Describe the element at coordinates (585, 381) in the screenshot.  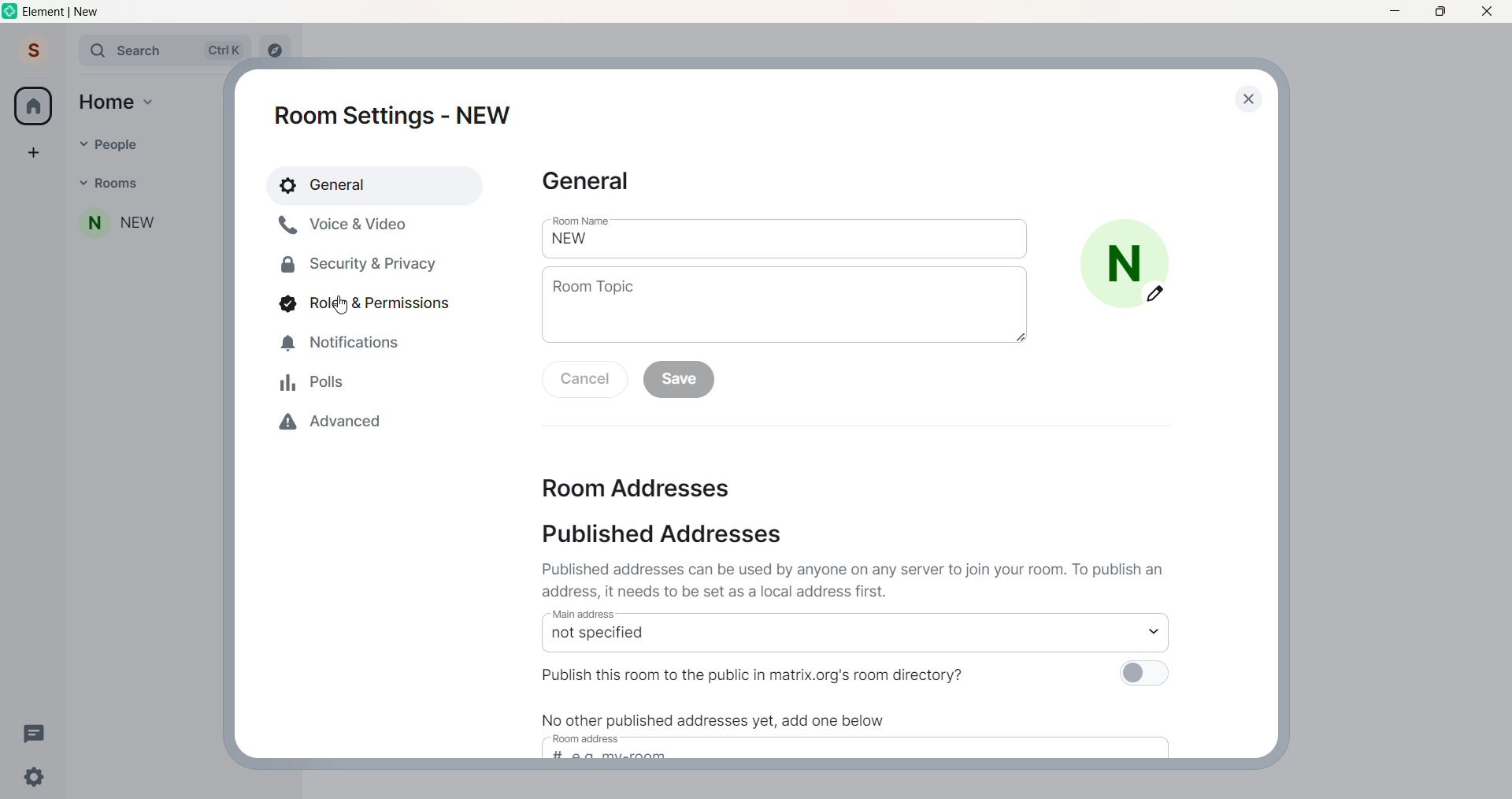
I see `cancel` at that location.